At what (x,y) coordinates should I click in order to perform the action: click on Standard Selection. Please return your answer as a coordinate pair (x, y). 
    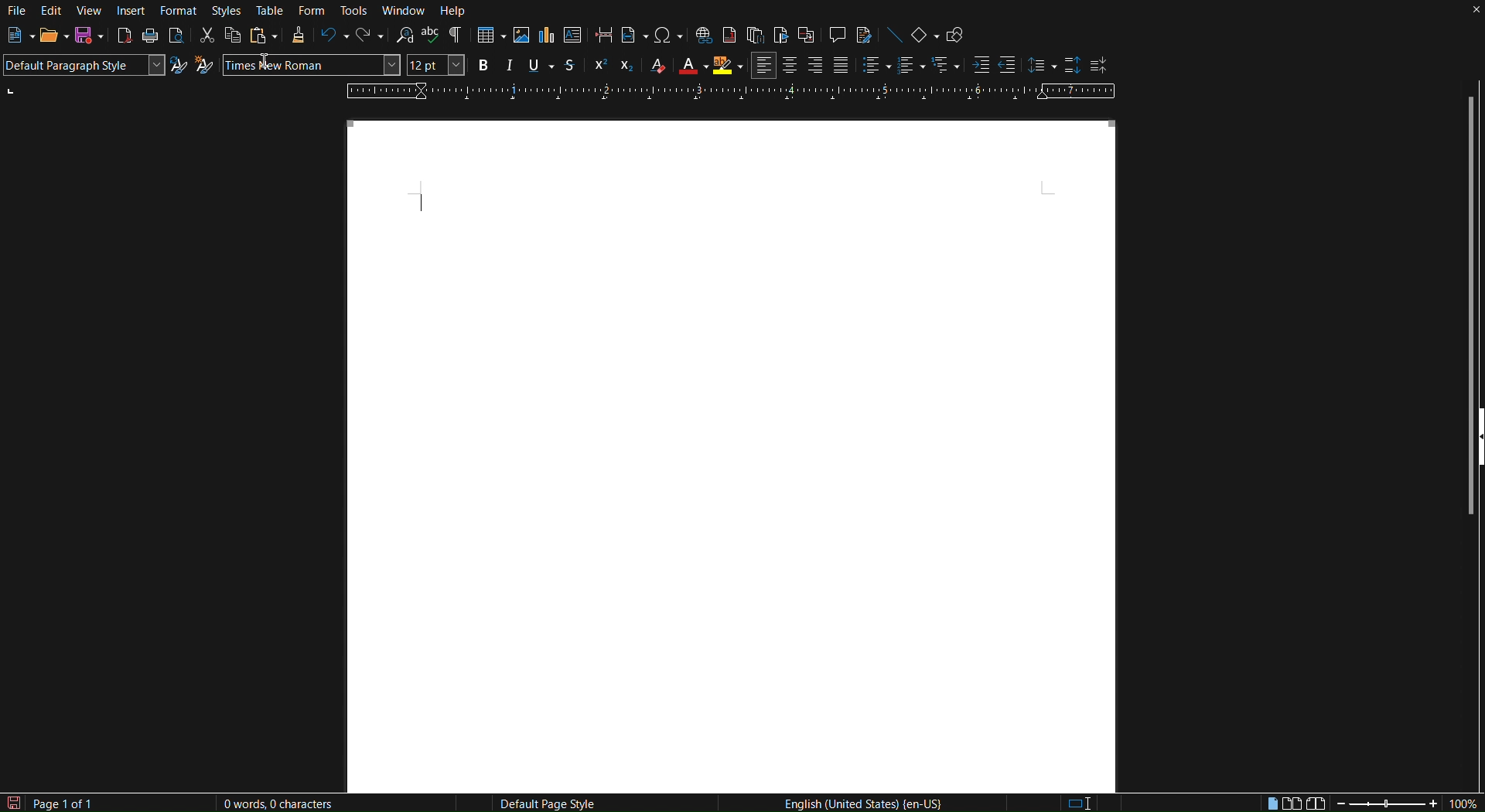
    Looking at the image, I should click on (1085, 803).